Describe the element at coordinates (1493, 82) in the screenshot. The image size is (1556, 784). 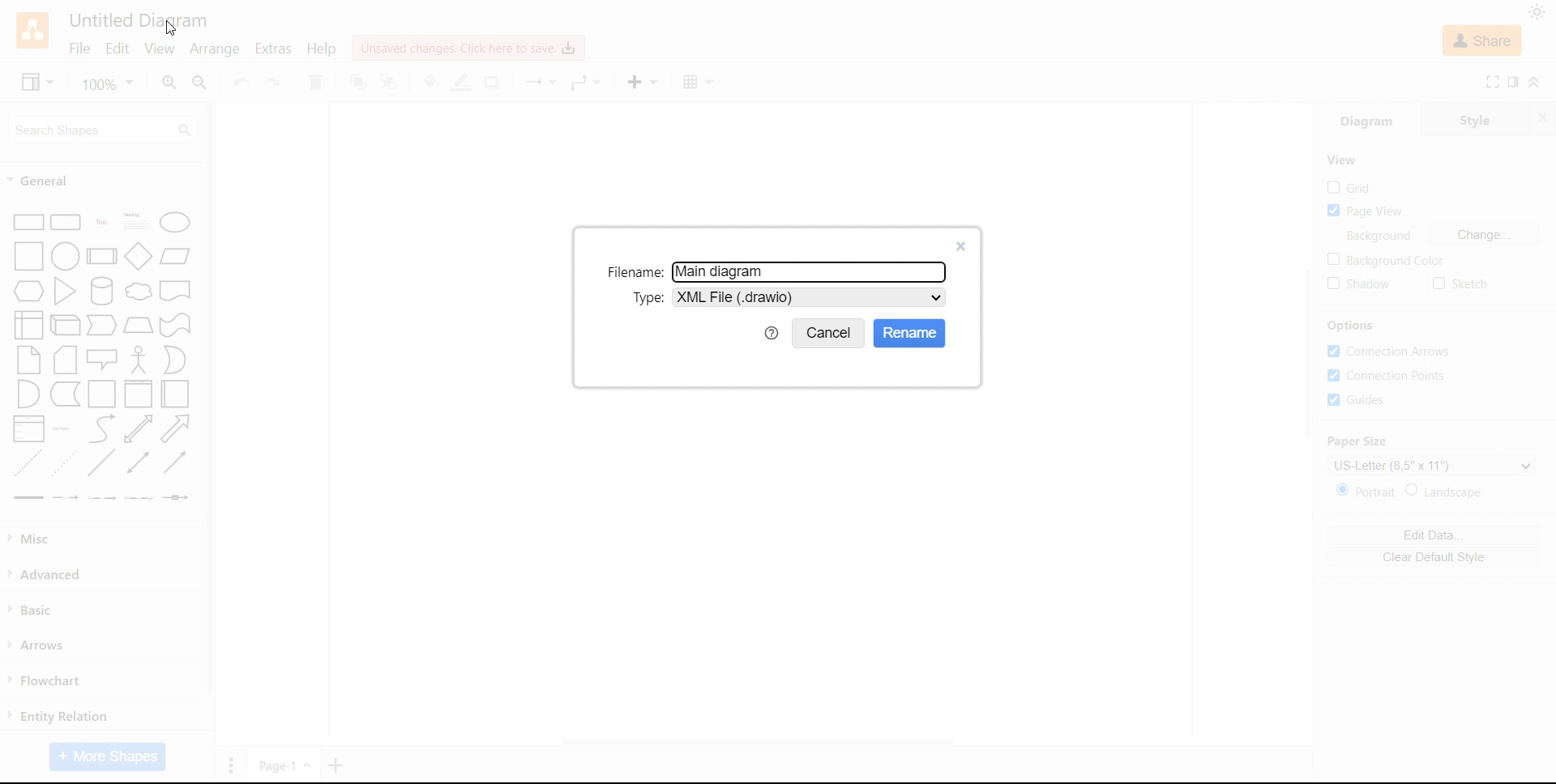
I see `Full screen ` at that location.